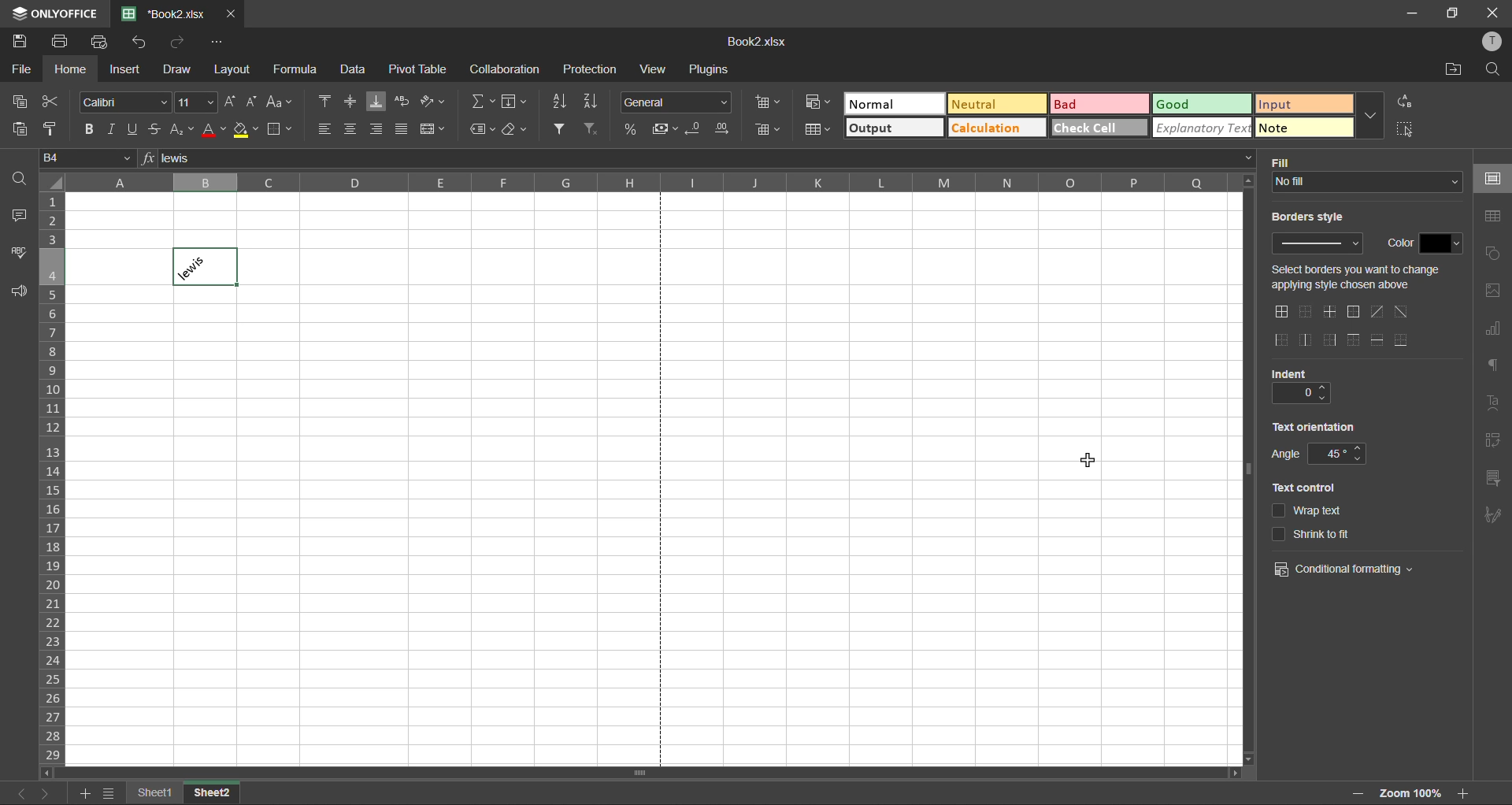  Describe the element at coordinates (1329, 339) in the screenshot. I see `right outside border only` at that location.